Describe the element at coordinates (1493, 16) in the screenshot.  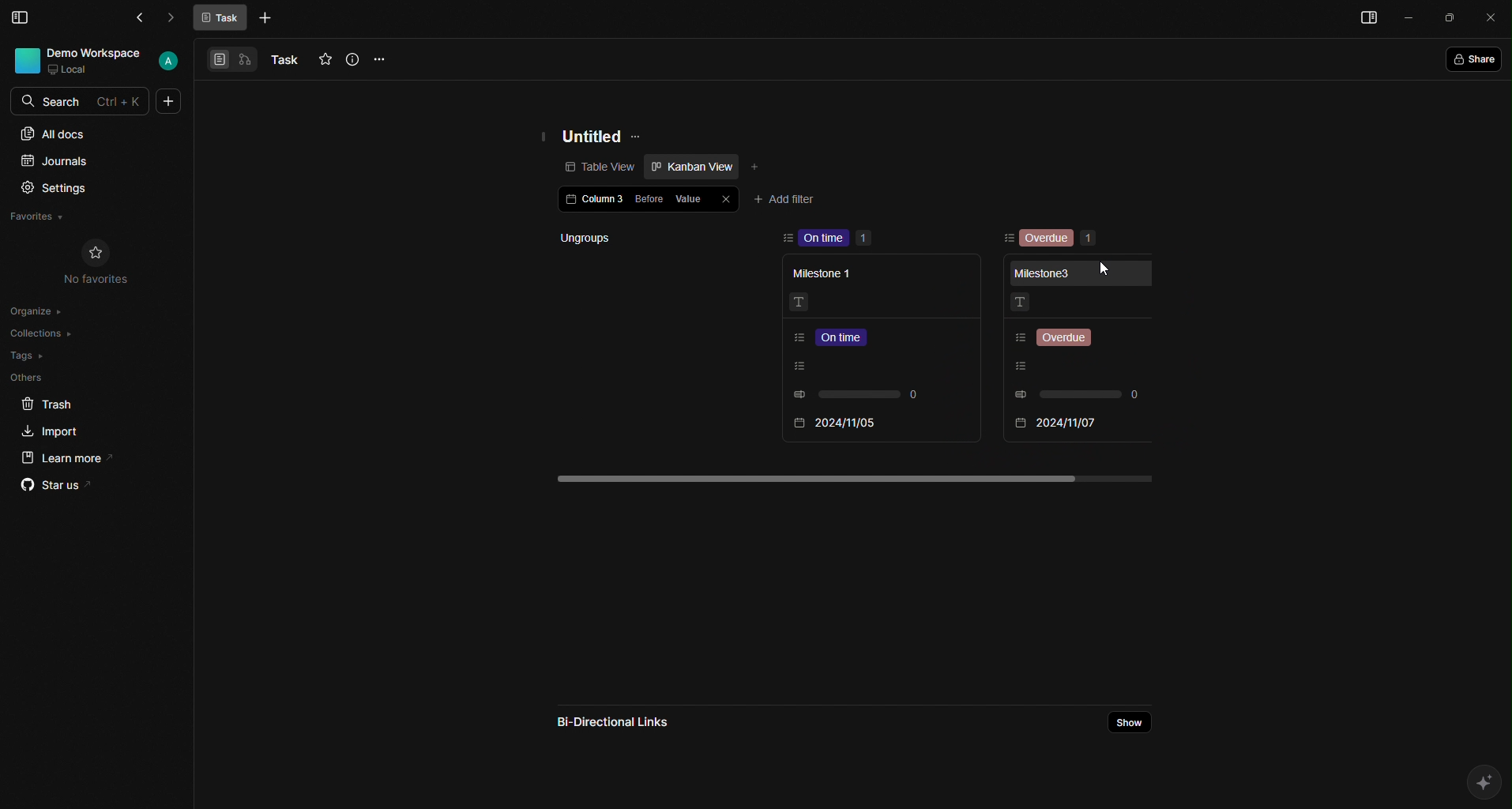
I see `Close` at that location.